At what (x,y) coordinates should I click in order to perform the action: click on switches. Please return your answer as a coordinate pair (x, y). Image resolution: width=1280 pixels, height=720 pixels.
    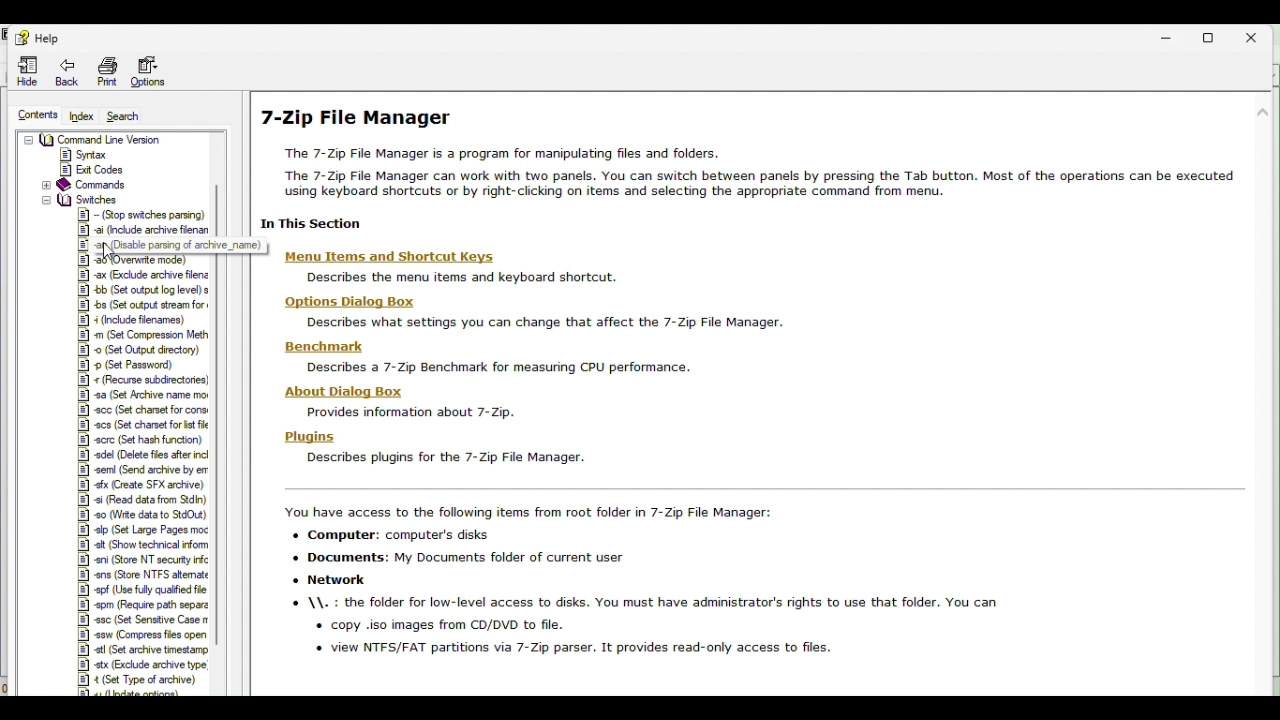
    Looking at the image, I should click on (78, 198).